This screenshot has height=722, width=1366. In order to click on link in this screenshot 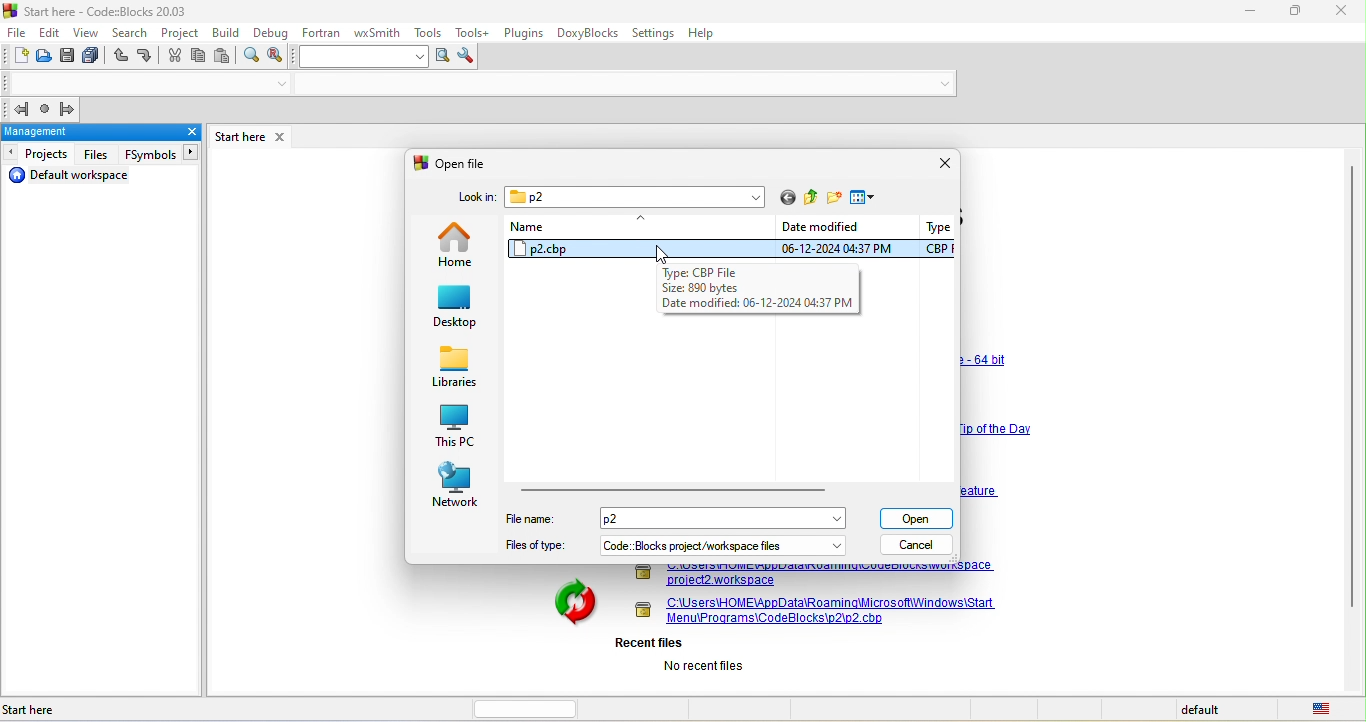, I will do `click(987, 360)`.